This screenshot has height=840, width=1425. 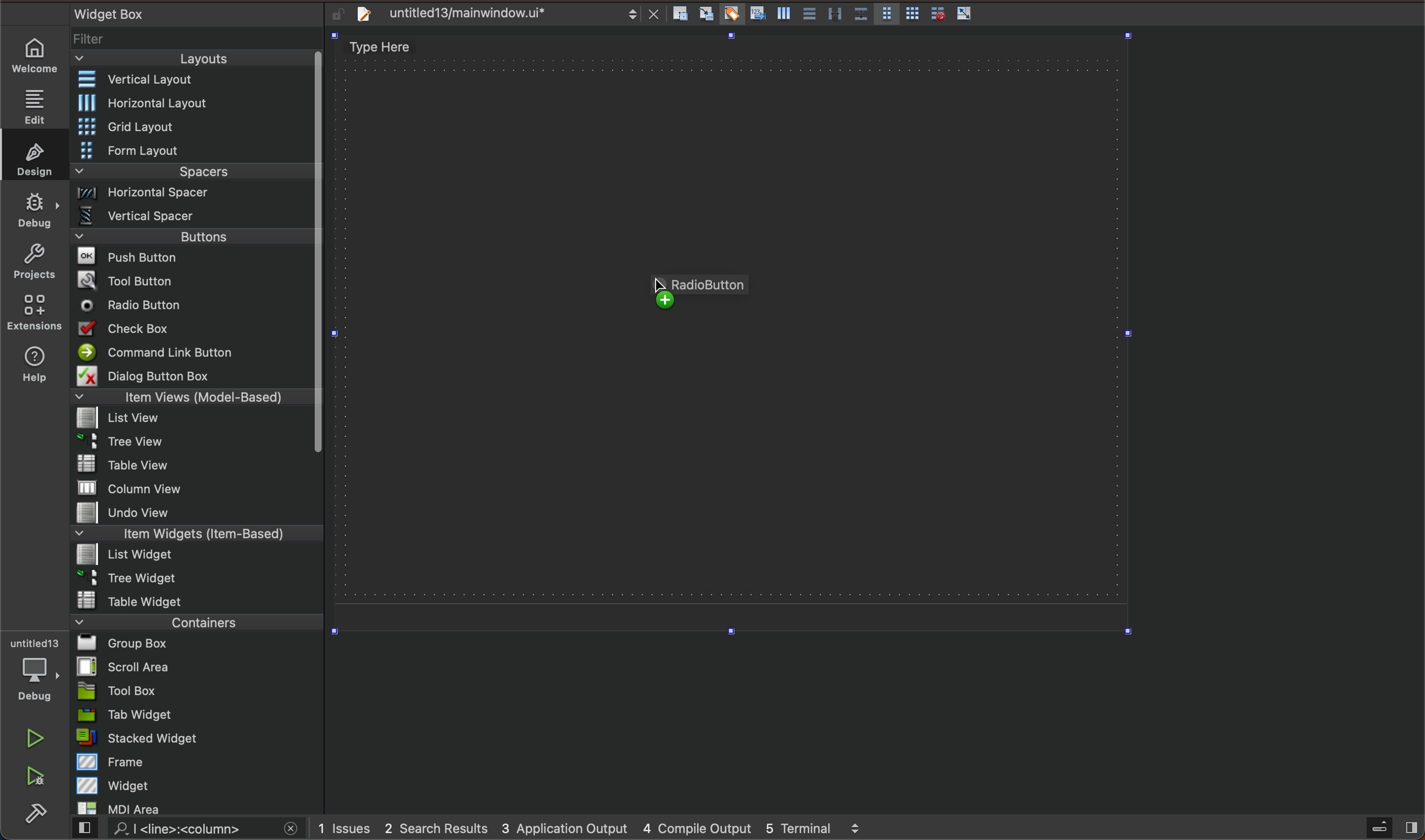 What do you see at coordinates (190, 445) in the screenshot?
I see `` at bounding box center [190, 445].